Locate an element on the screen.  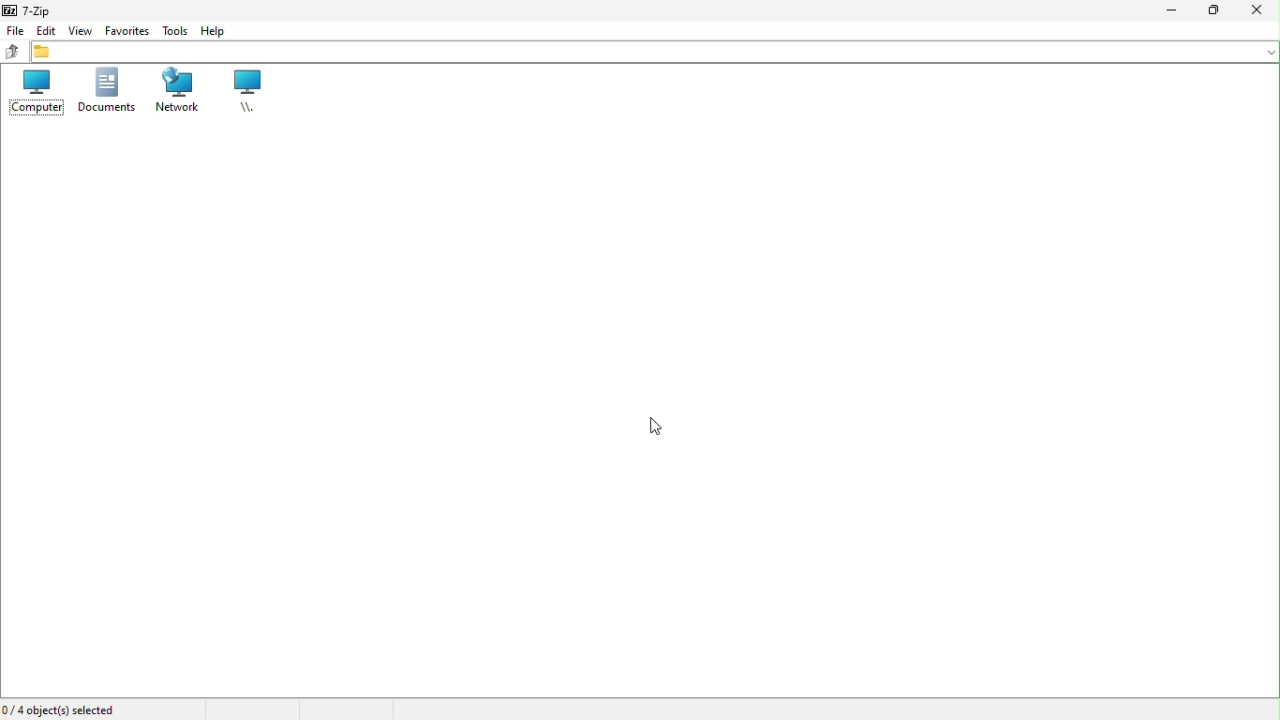
Minimize is located at coordinates (1167, 12).